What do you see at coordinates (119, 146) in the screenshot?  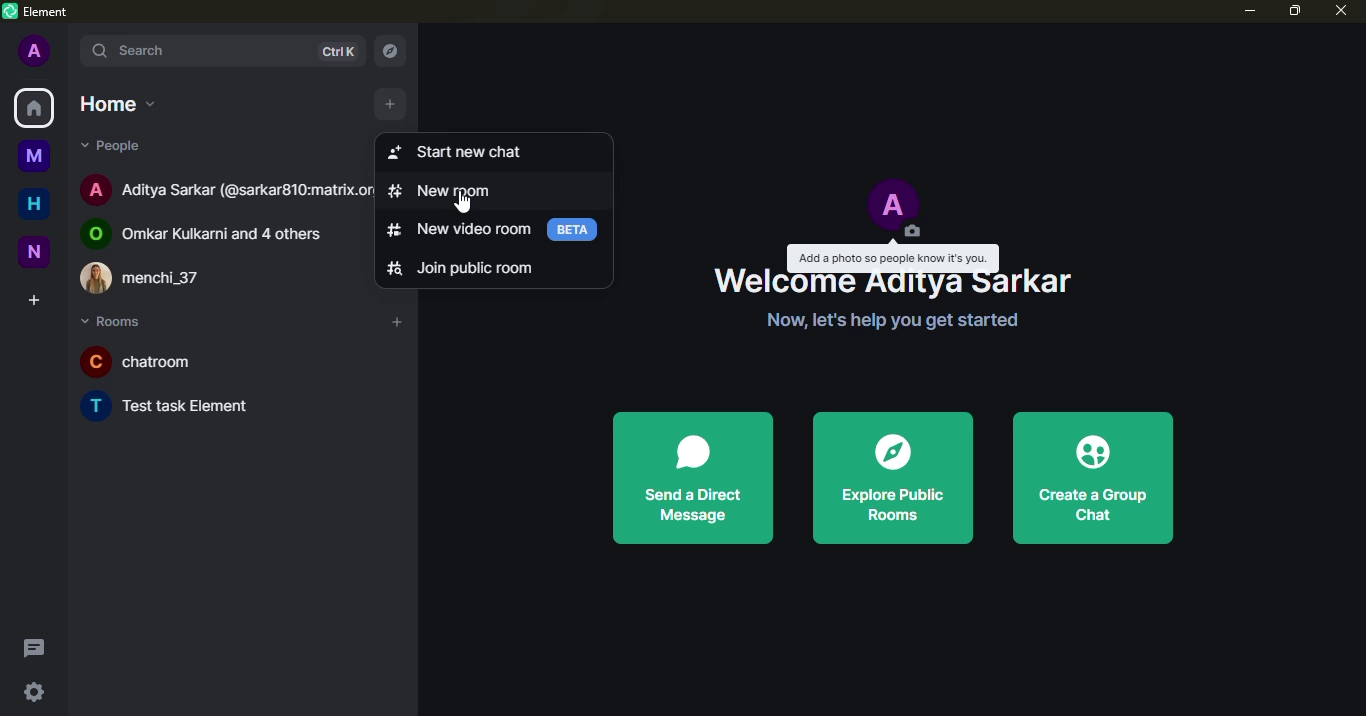 I see `people` at bounding box center [119, 146].